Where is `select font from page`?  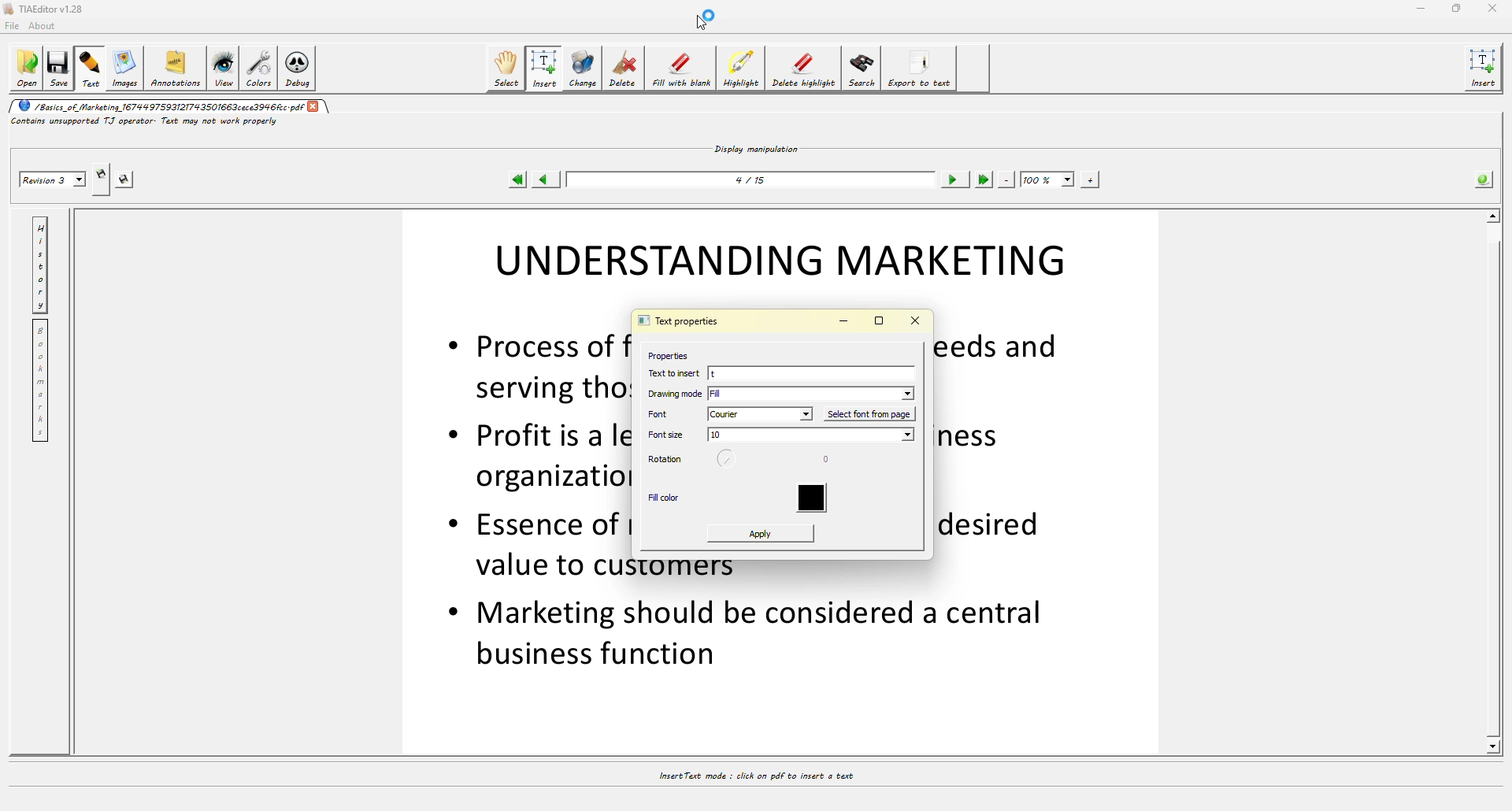 select font from page is located at coordinates (872, 413).